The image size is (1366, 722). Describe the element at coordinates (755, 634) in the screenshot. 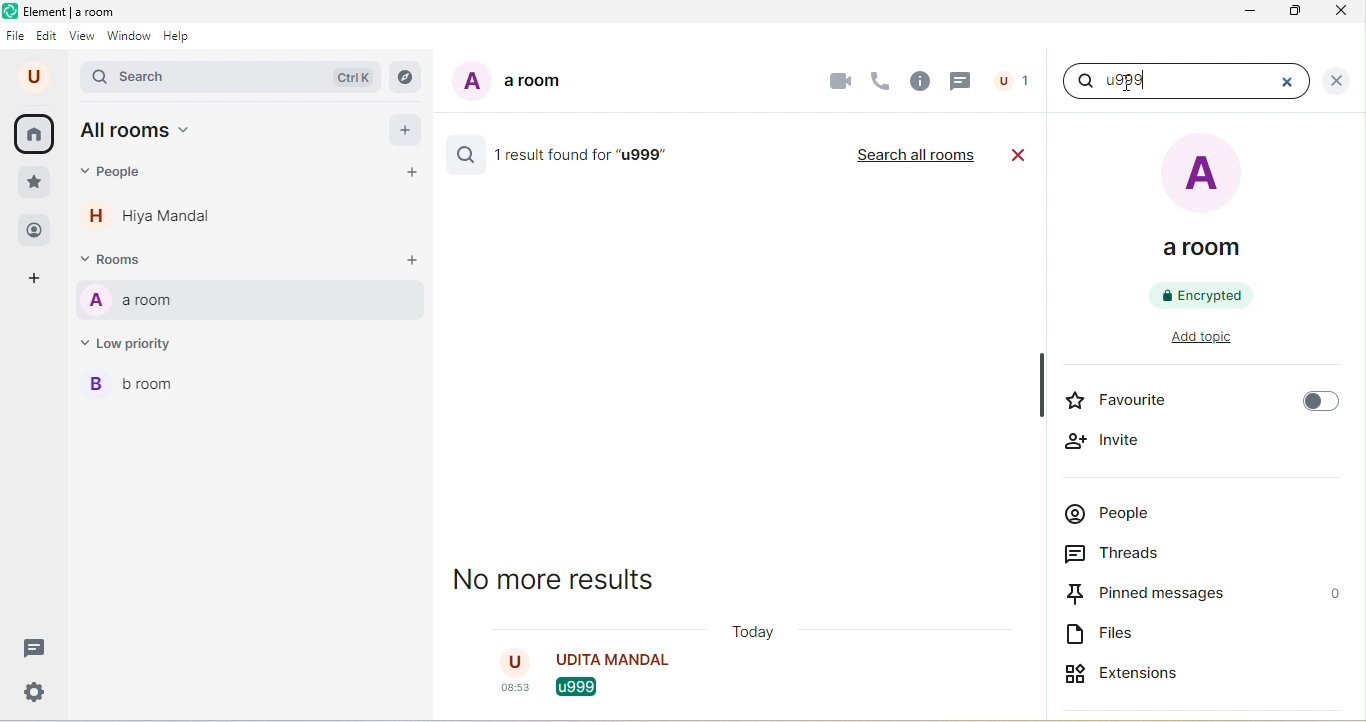

I see `today` at that location.